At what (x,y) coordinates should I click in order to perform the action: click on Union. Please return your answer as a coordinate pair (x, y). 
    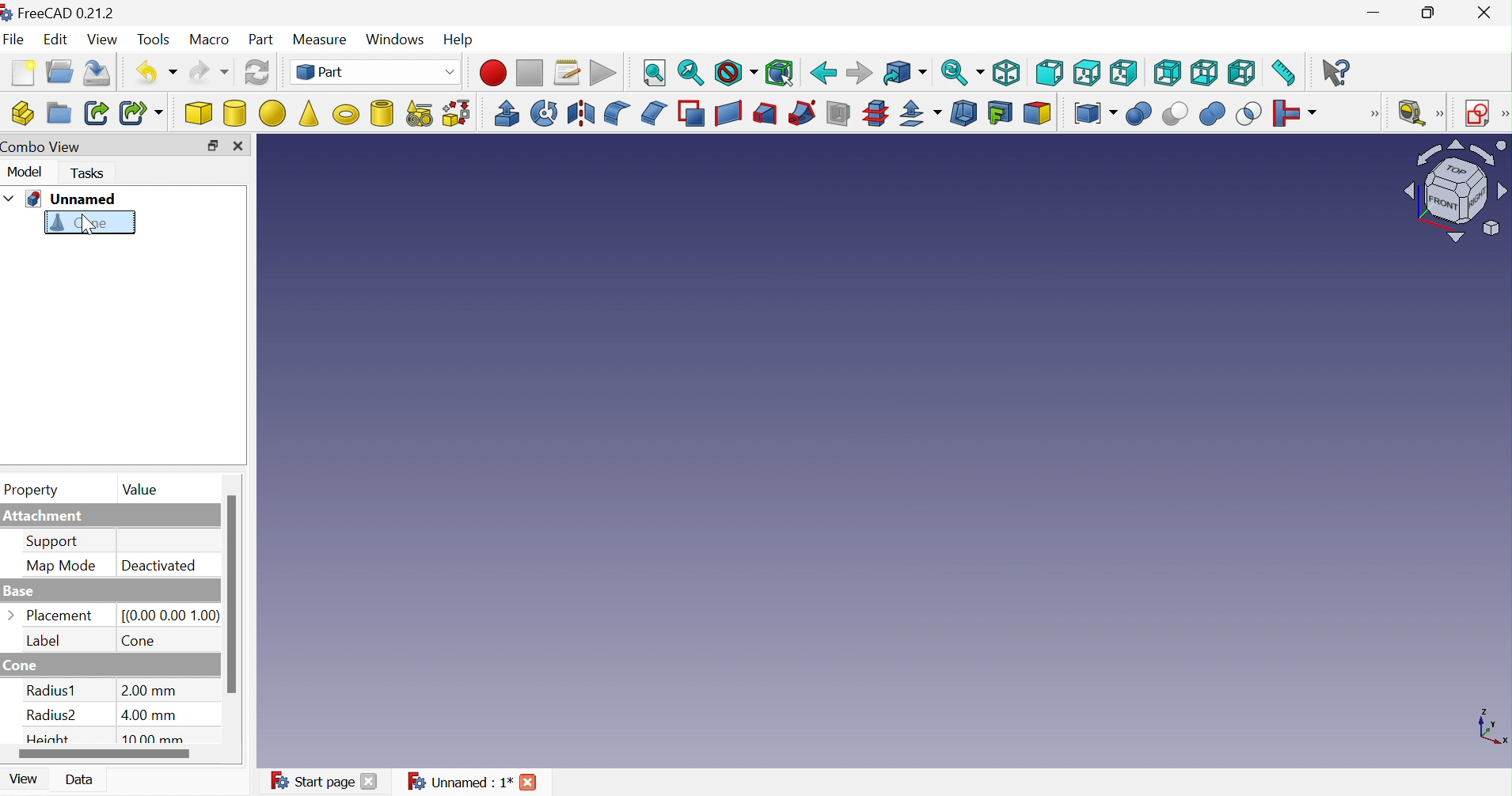
    Looking at the image, I should click on (1212, 116).